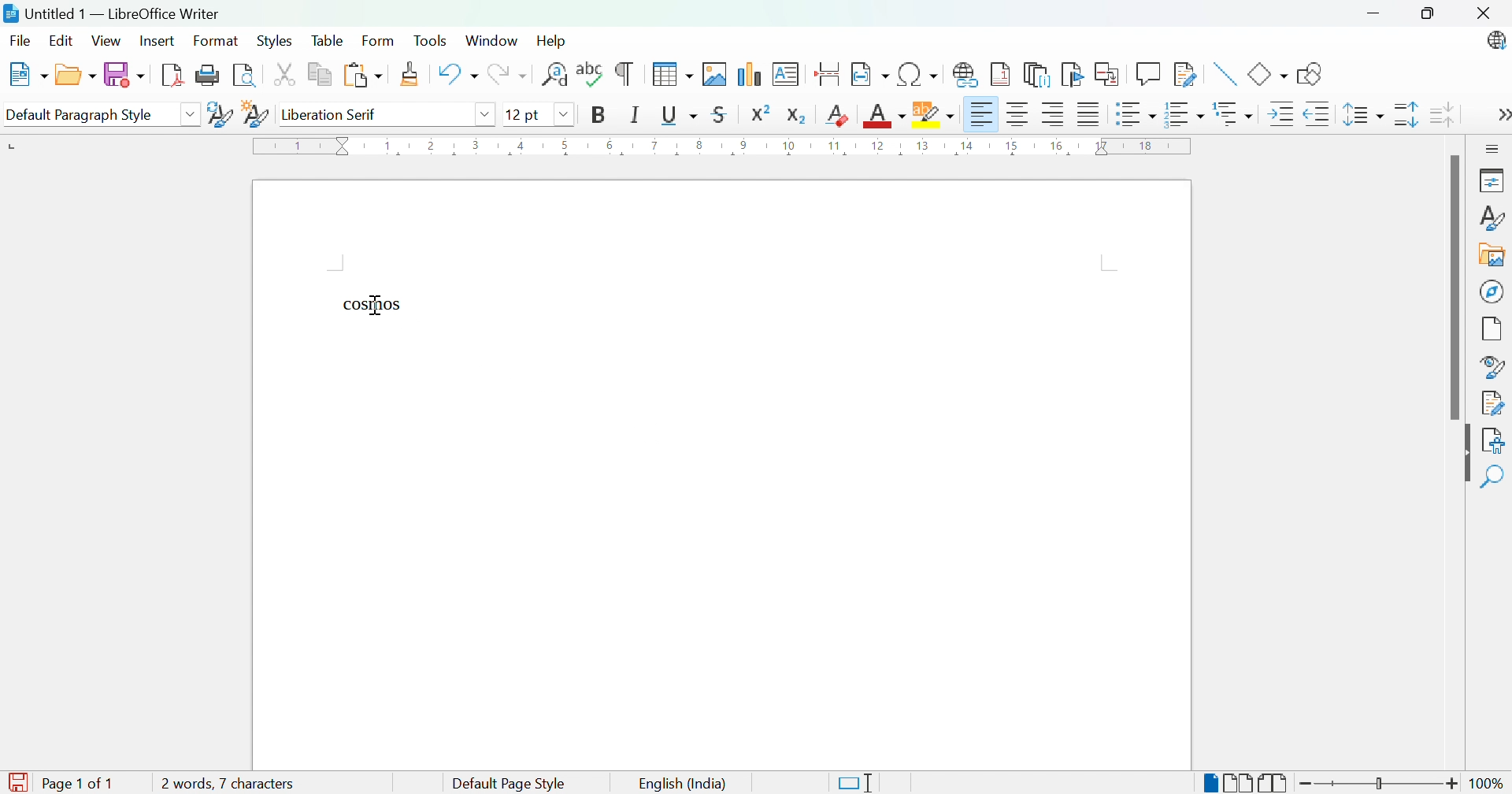  What do you see at coordinates (965, 77) in the screenshot?
I see `Insert hyperlink` at bounding box center [965, 77].